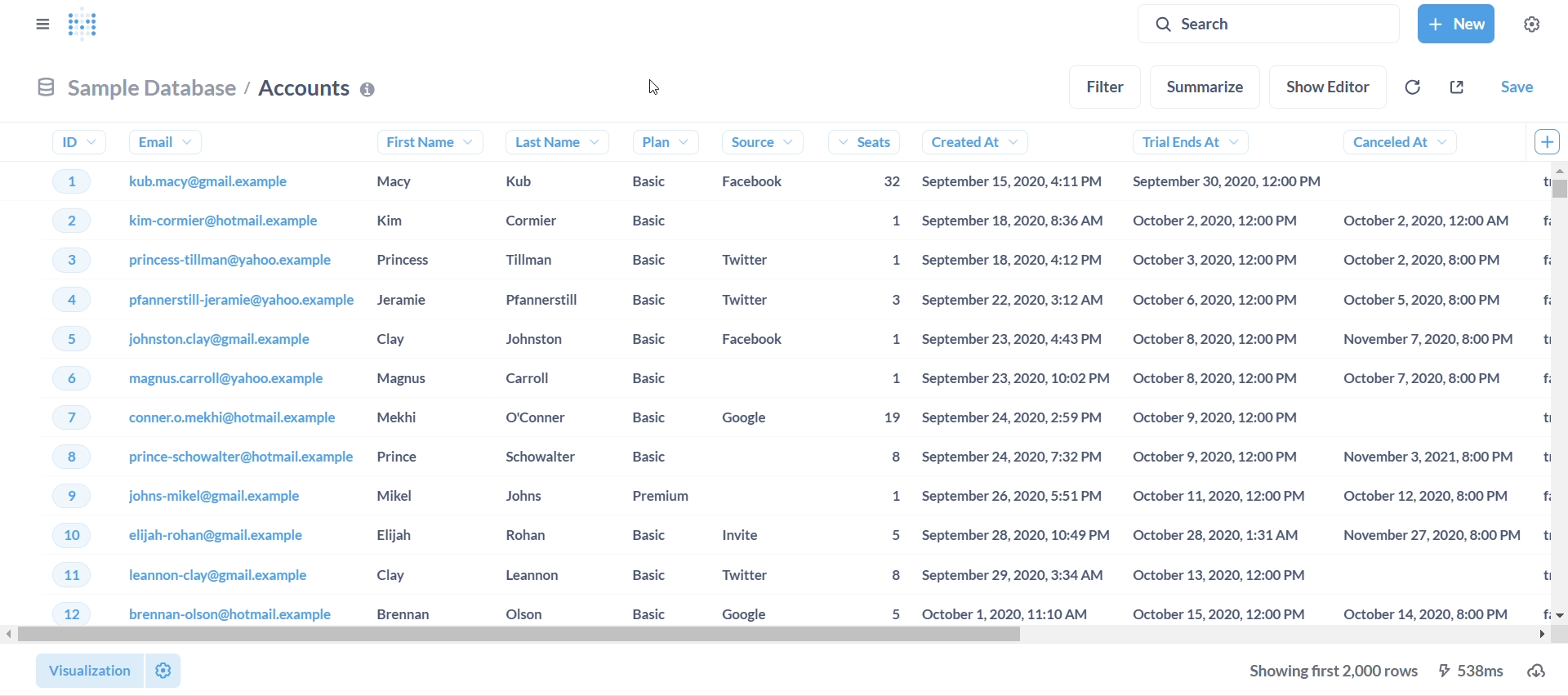 This screenshot has height=696, width=1568. What do you see at coordinates (1545, 143) in the screenshot?
I see `add column` at bounding box center [1545, 143].